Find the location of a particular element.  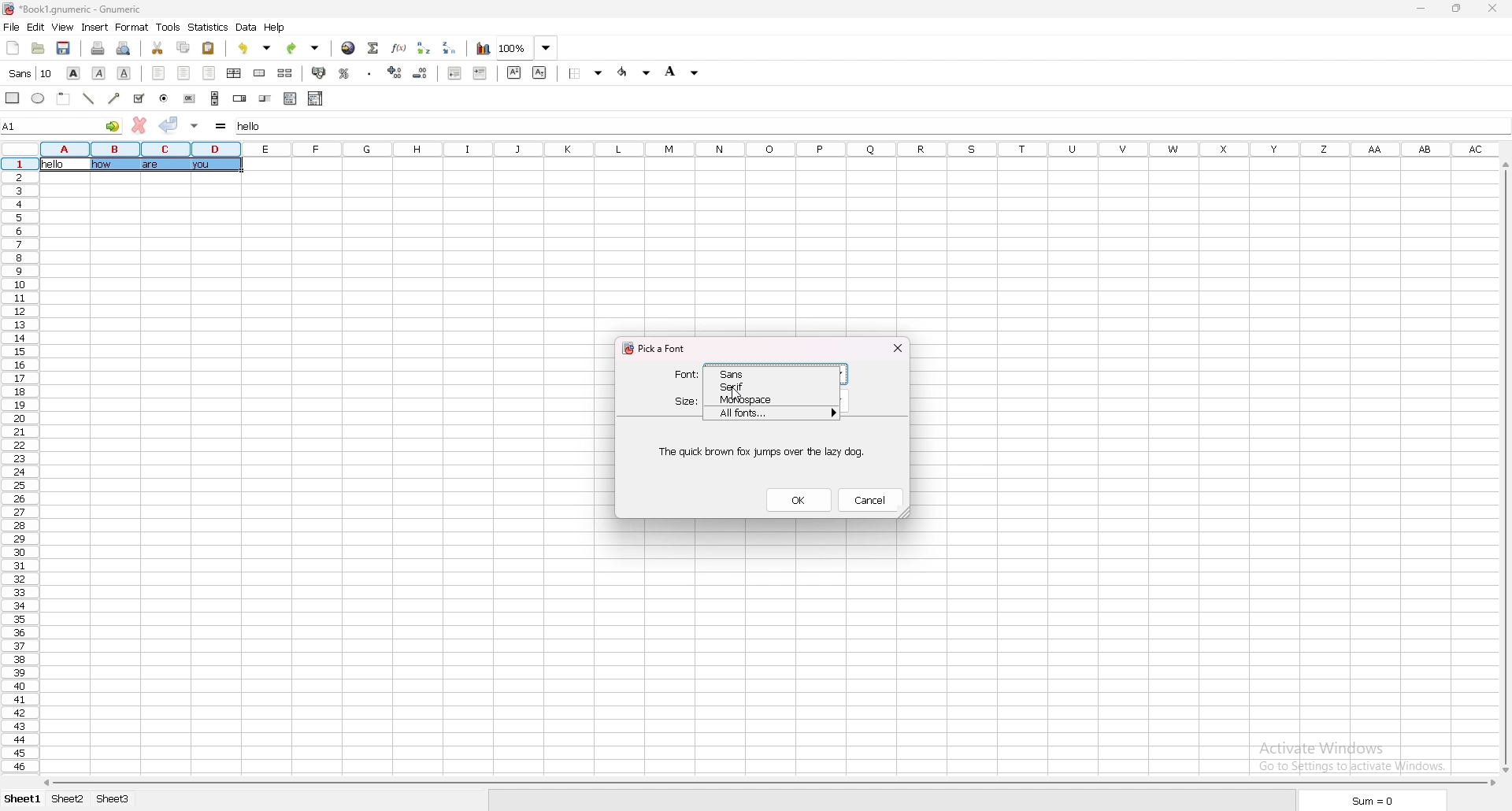

zoom is located at coordinates (528, 48).